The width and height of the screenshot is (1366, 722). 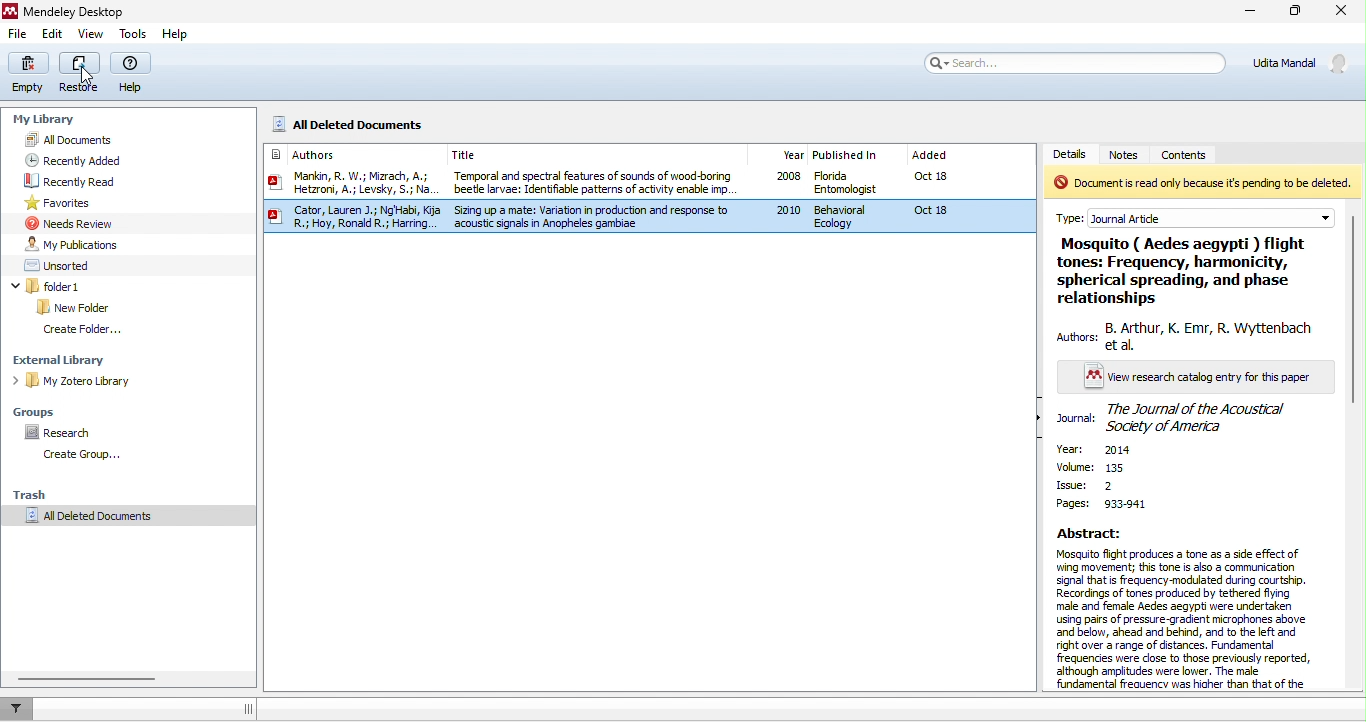 What do you see at coordinates (69, 223) in the screenshot?
I see `needs review` at bounding box center [69, 223].